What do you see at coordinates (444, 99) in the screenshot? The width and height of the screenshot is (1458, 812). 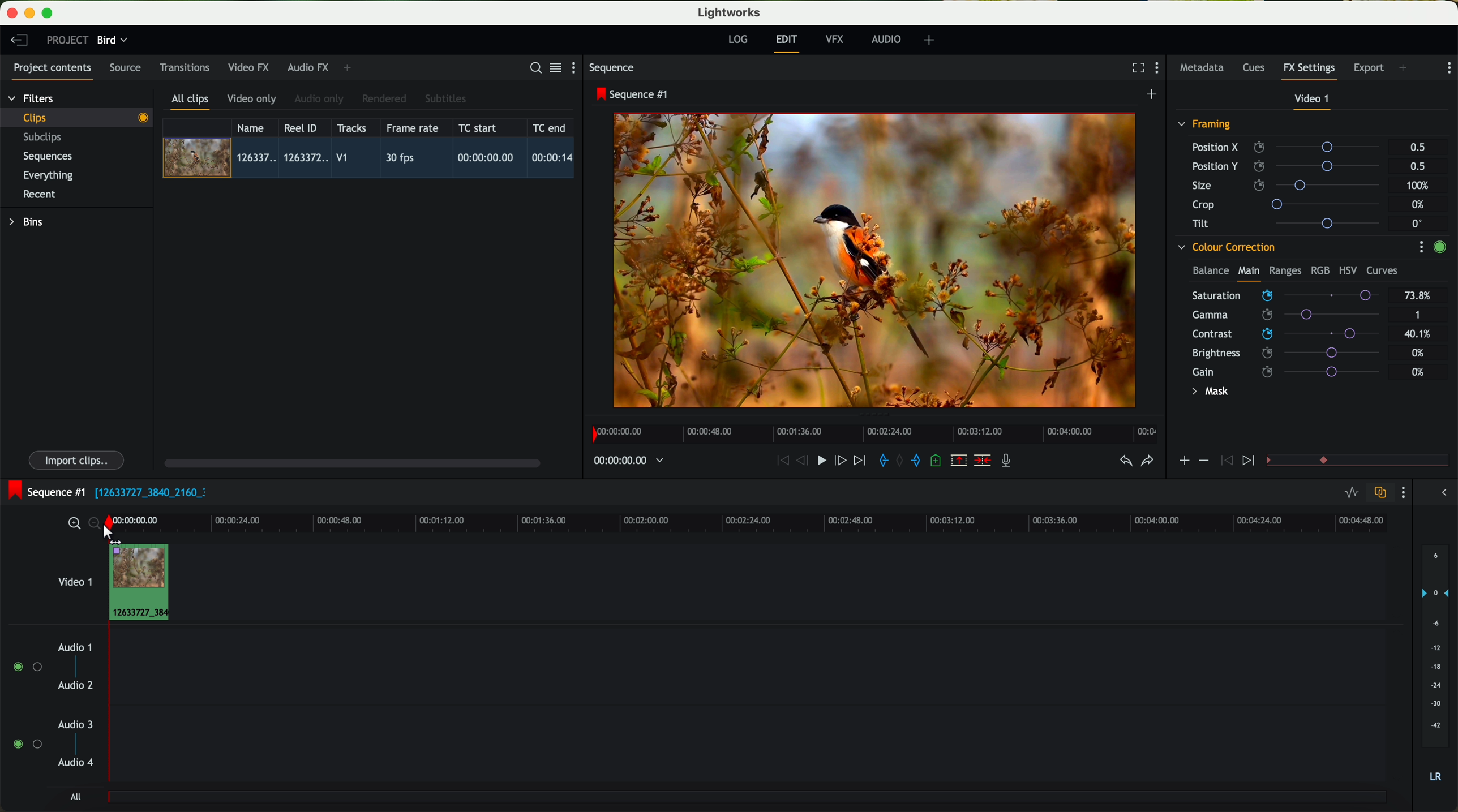 I see `subtitles` at bounding box center [444, 99].